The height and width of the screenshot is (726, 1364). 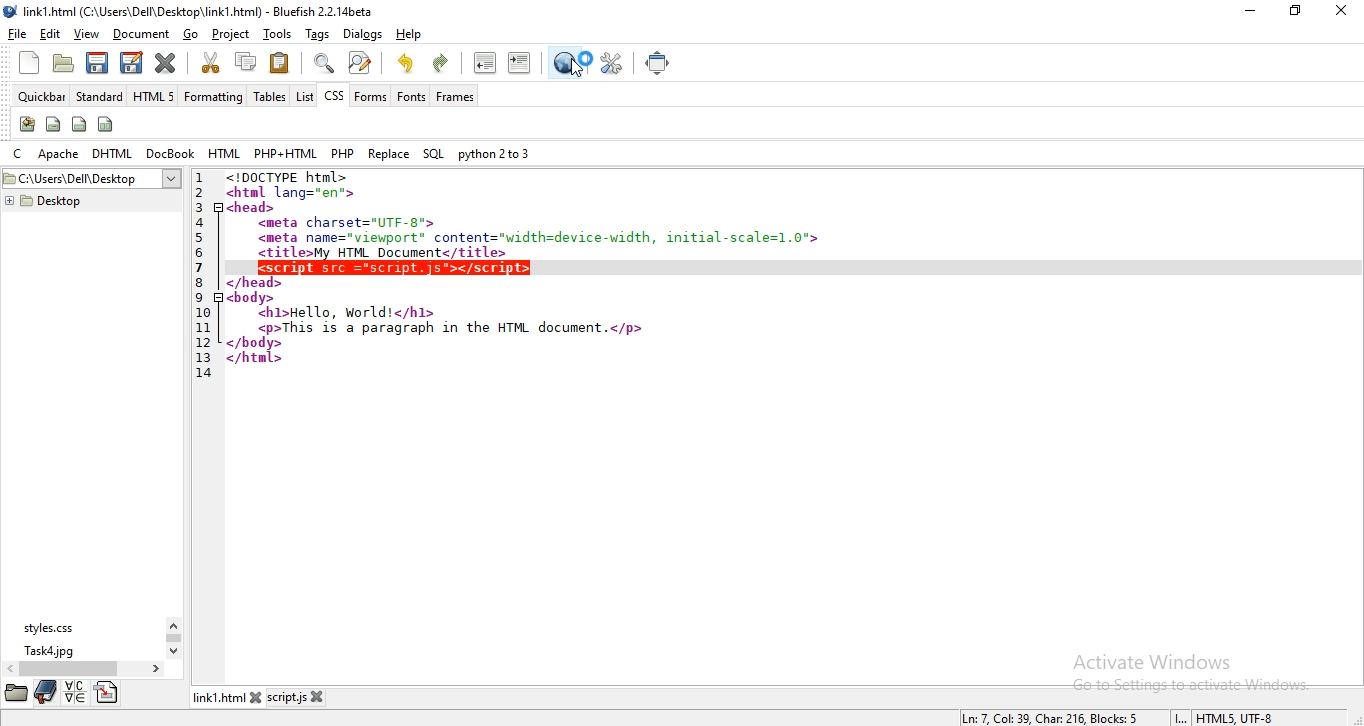 What do you see at coordinates (441, 64) in the screenshot?
I see `redo` at bounding box center [441, 64].